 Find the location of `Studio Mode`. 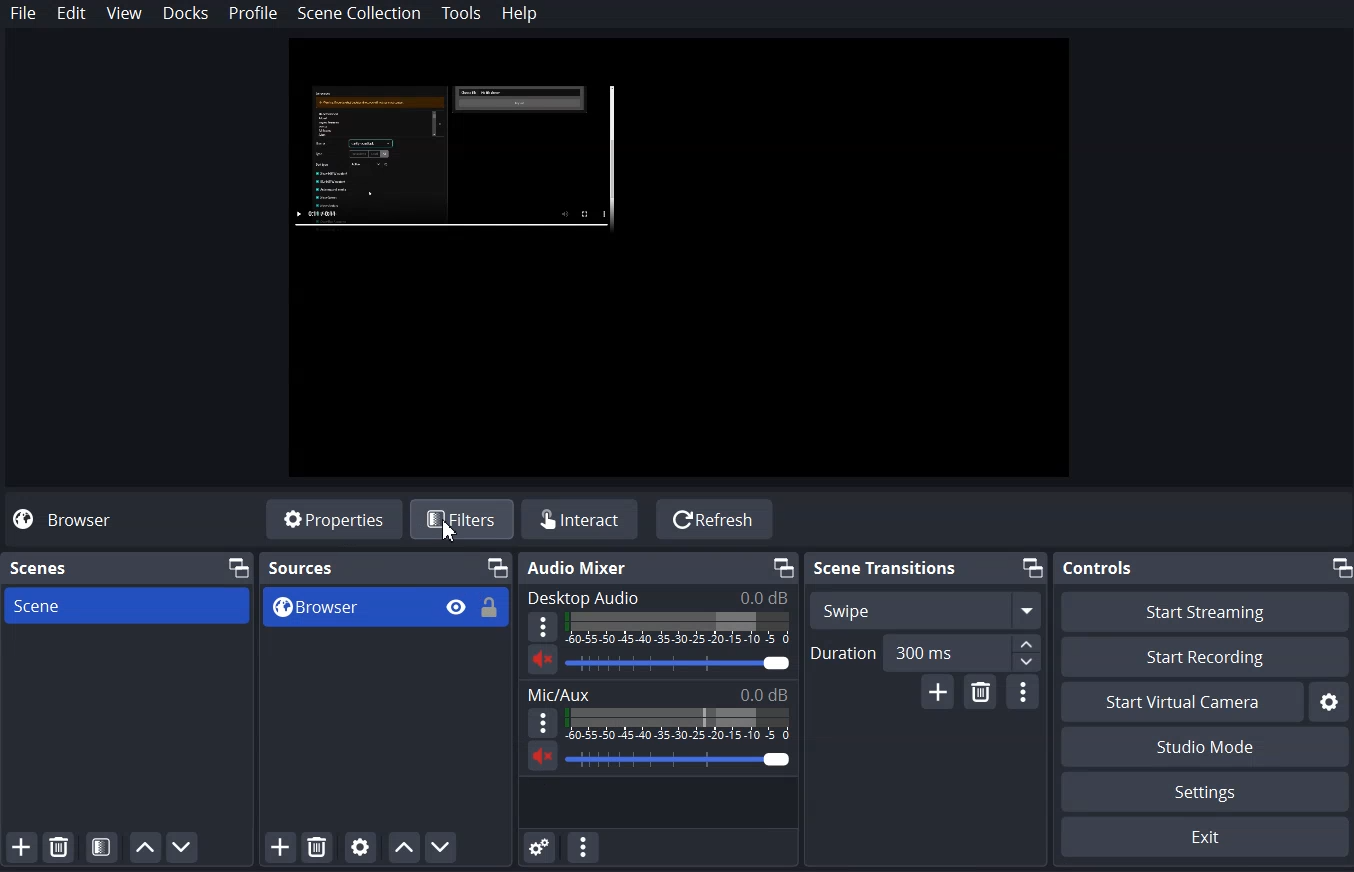

Studio Mode is located at coordinates (1207, 748).